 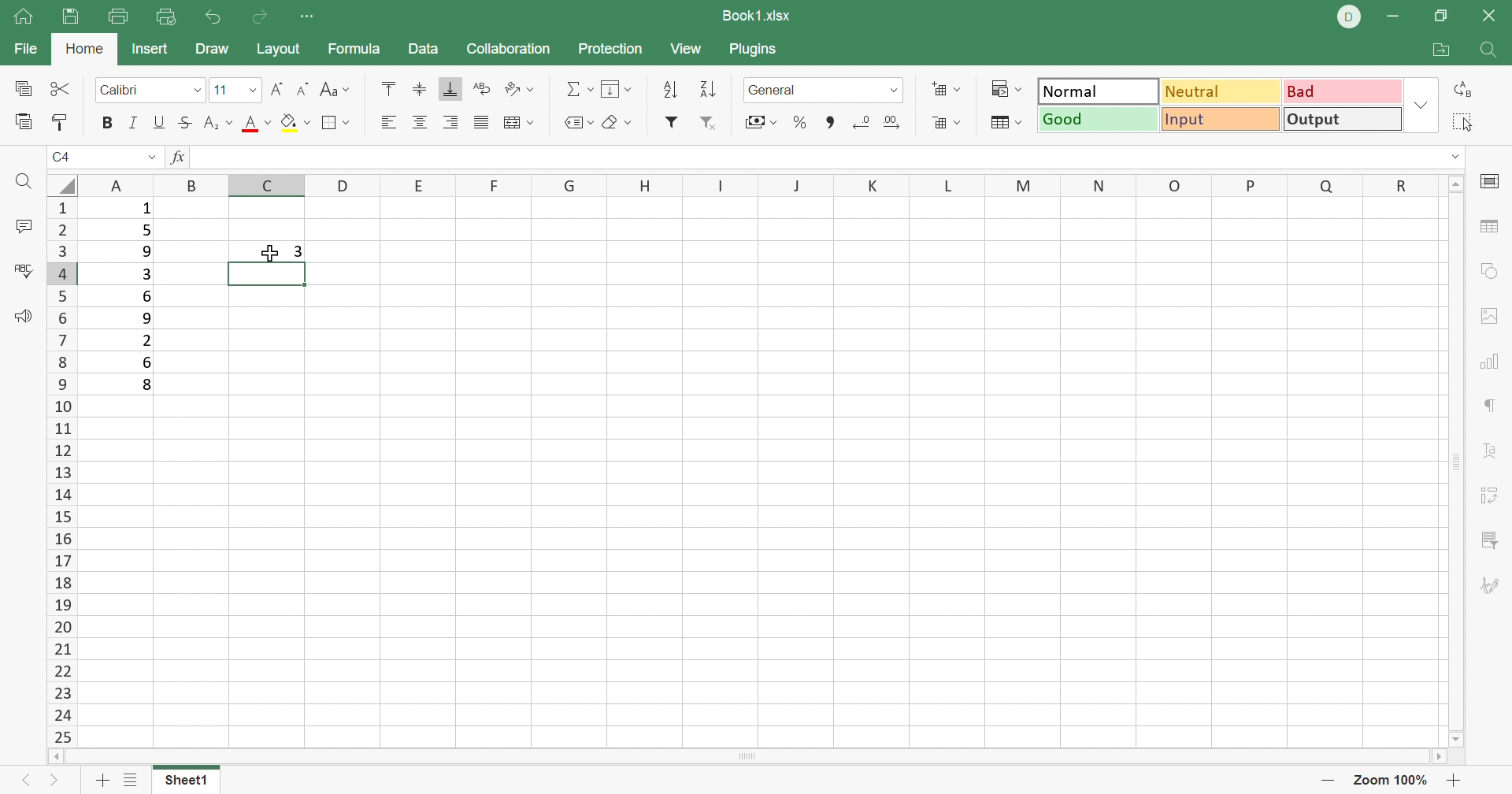 I want to click on Align right, so click(x=451, y=121).